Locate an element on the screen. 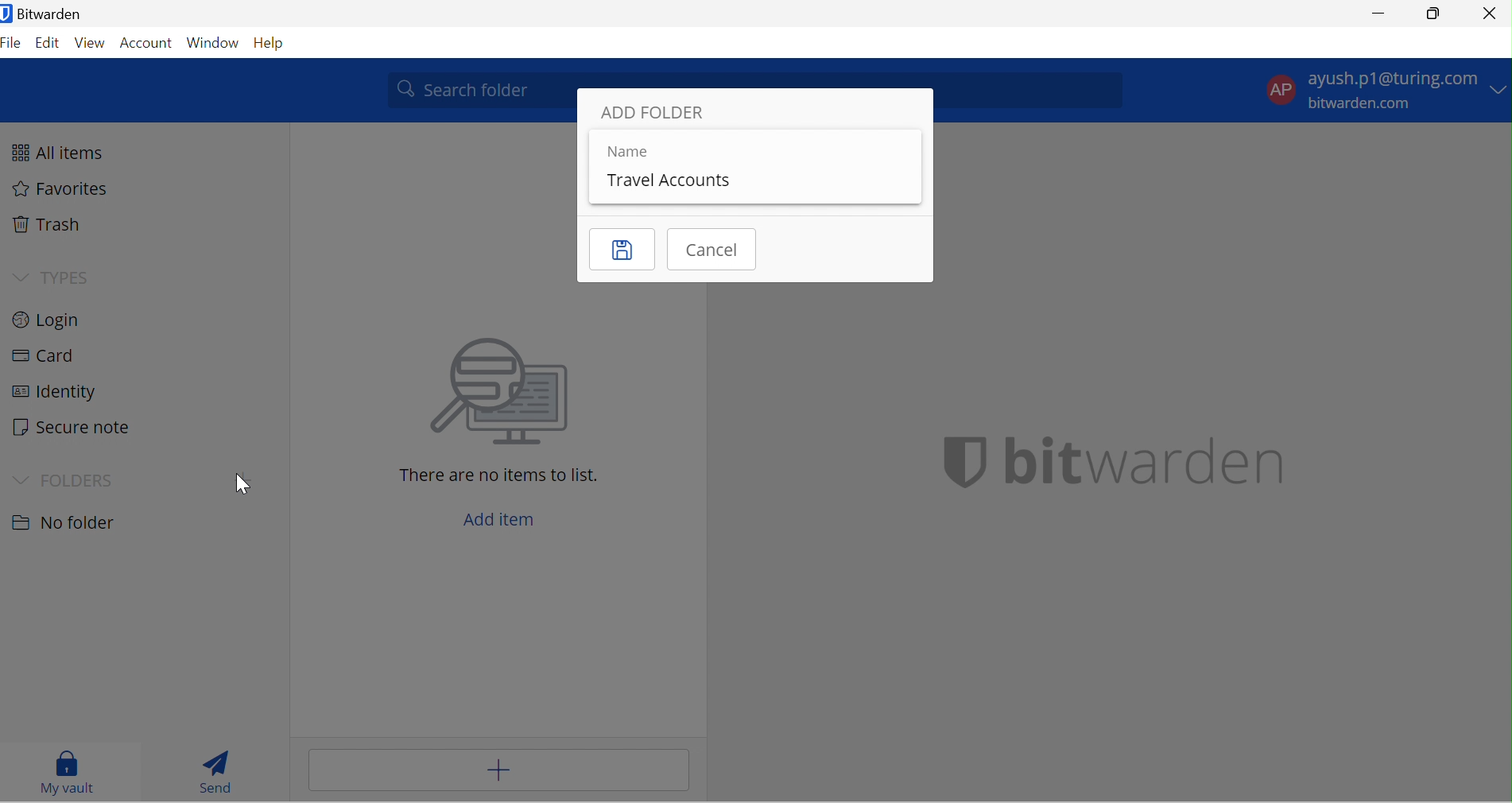  Drop Down is located at coordinates (21, 277).